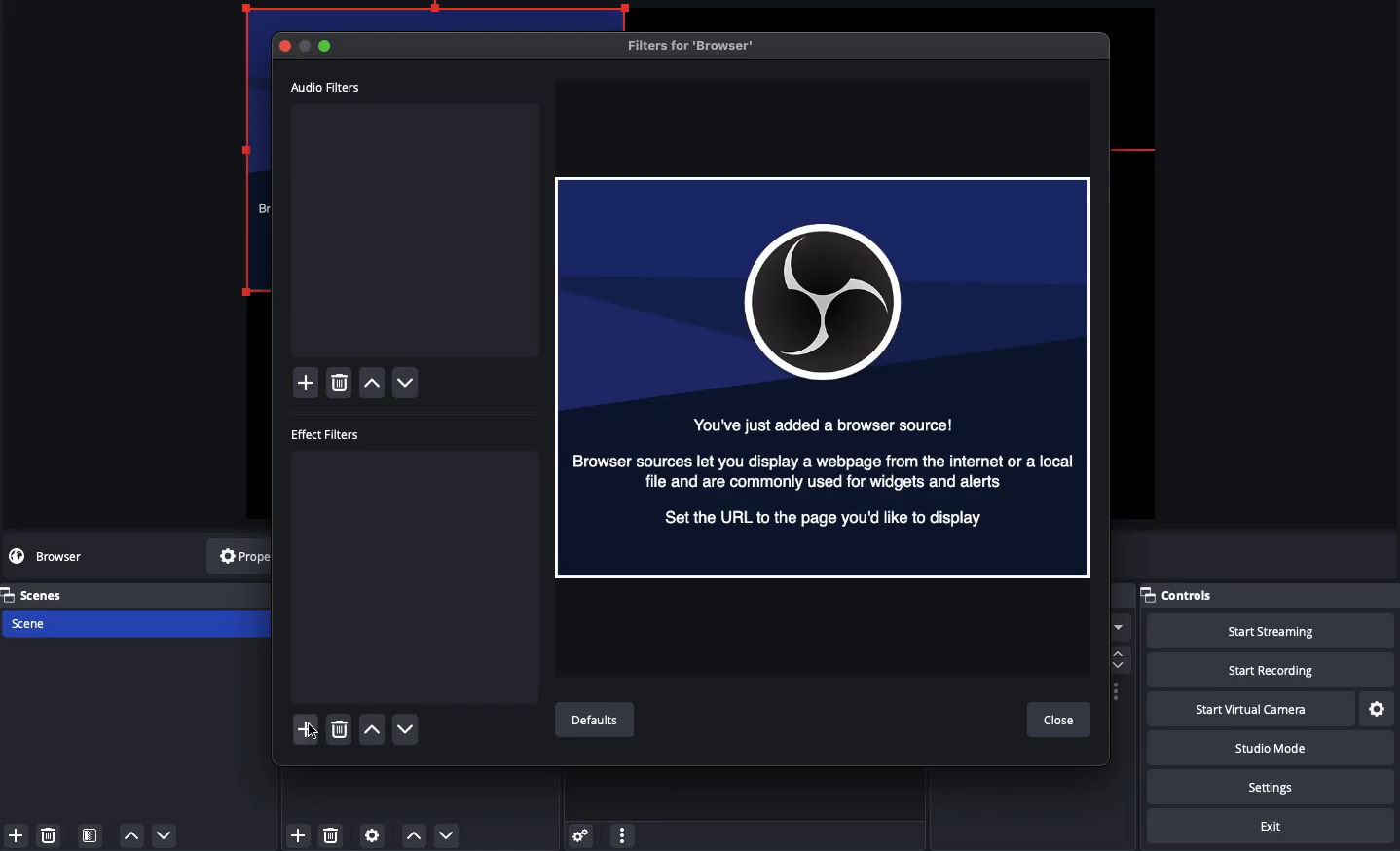 This screenshot has height=851, width=1400. Describe the element at coordinates (1267, 787) in the screenshot. I see `Settings` at that location.